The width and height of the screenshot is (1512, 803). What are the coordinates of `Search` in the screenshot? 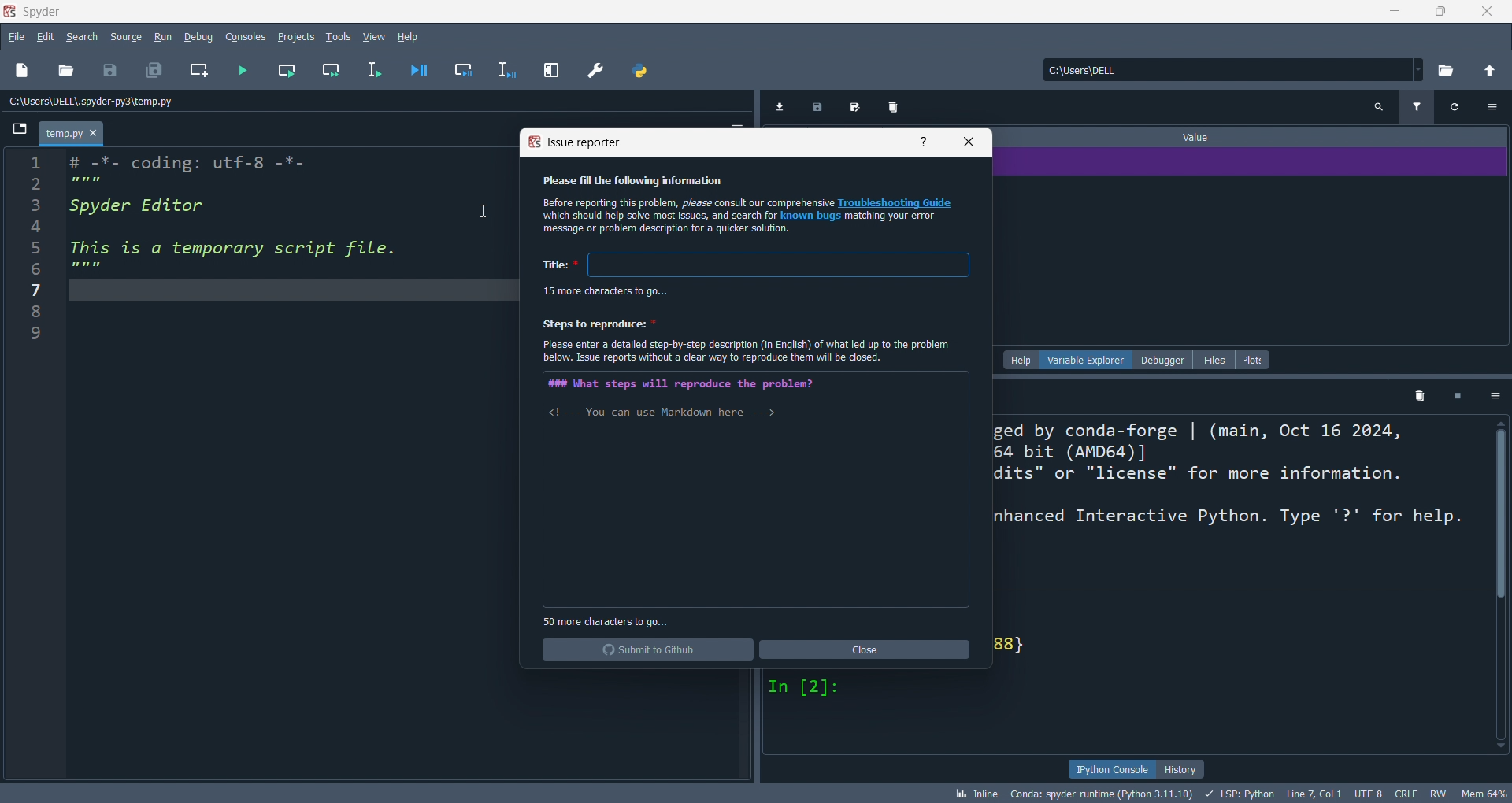 It's located at (1380, 106).